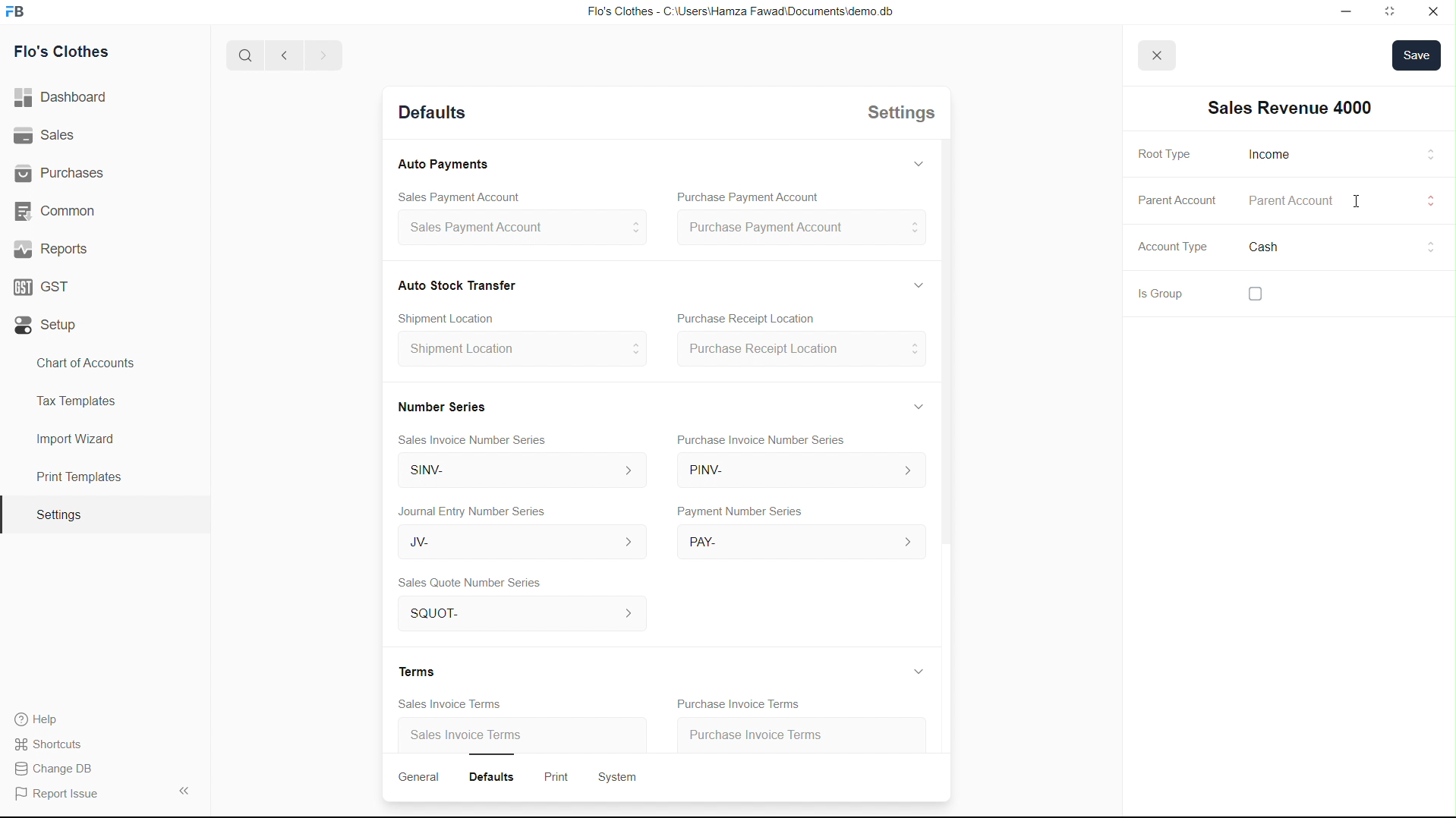 This screenshot has height=818, width=1456. Describe the element at coordinates (323, 55) in the screenshot. I see `Forward` at that location.